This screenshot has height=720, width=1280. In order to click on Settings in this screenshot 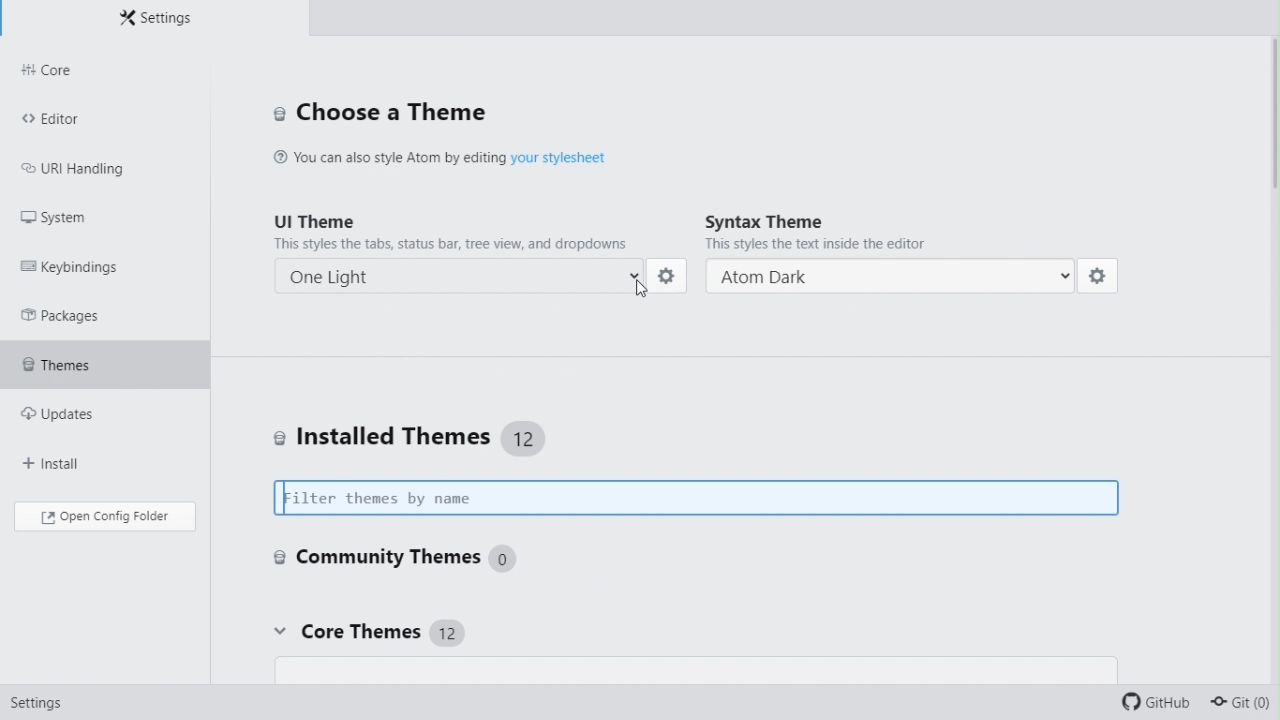, I will do `click(164, 20)`.